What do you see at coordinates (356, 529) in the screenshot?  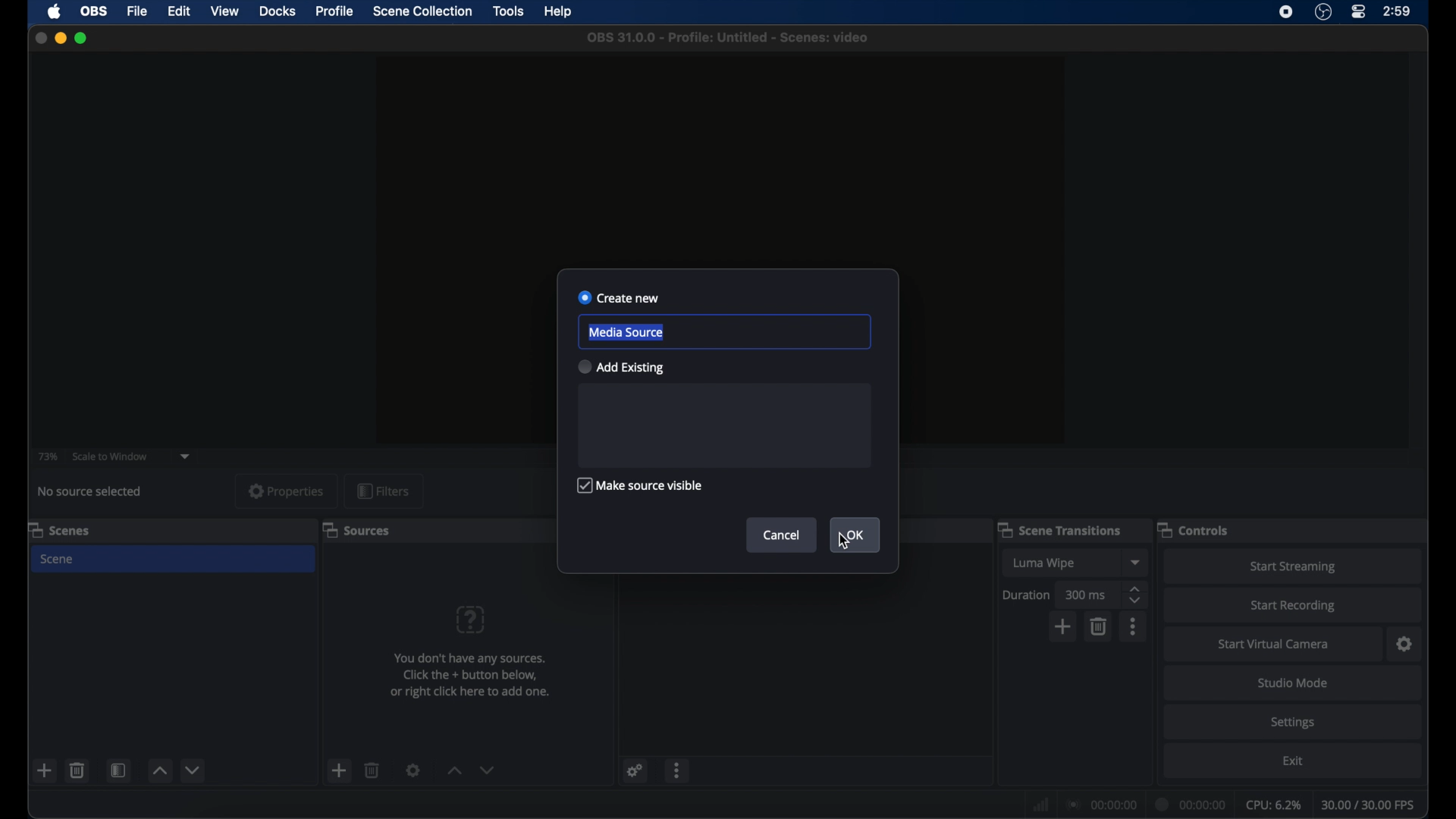 I see `sources` at bounding box center [356, 529].